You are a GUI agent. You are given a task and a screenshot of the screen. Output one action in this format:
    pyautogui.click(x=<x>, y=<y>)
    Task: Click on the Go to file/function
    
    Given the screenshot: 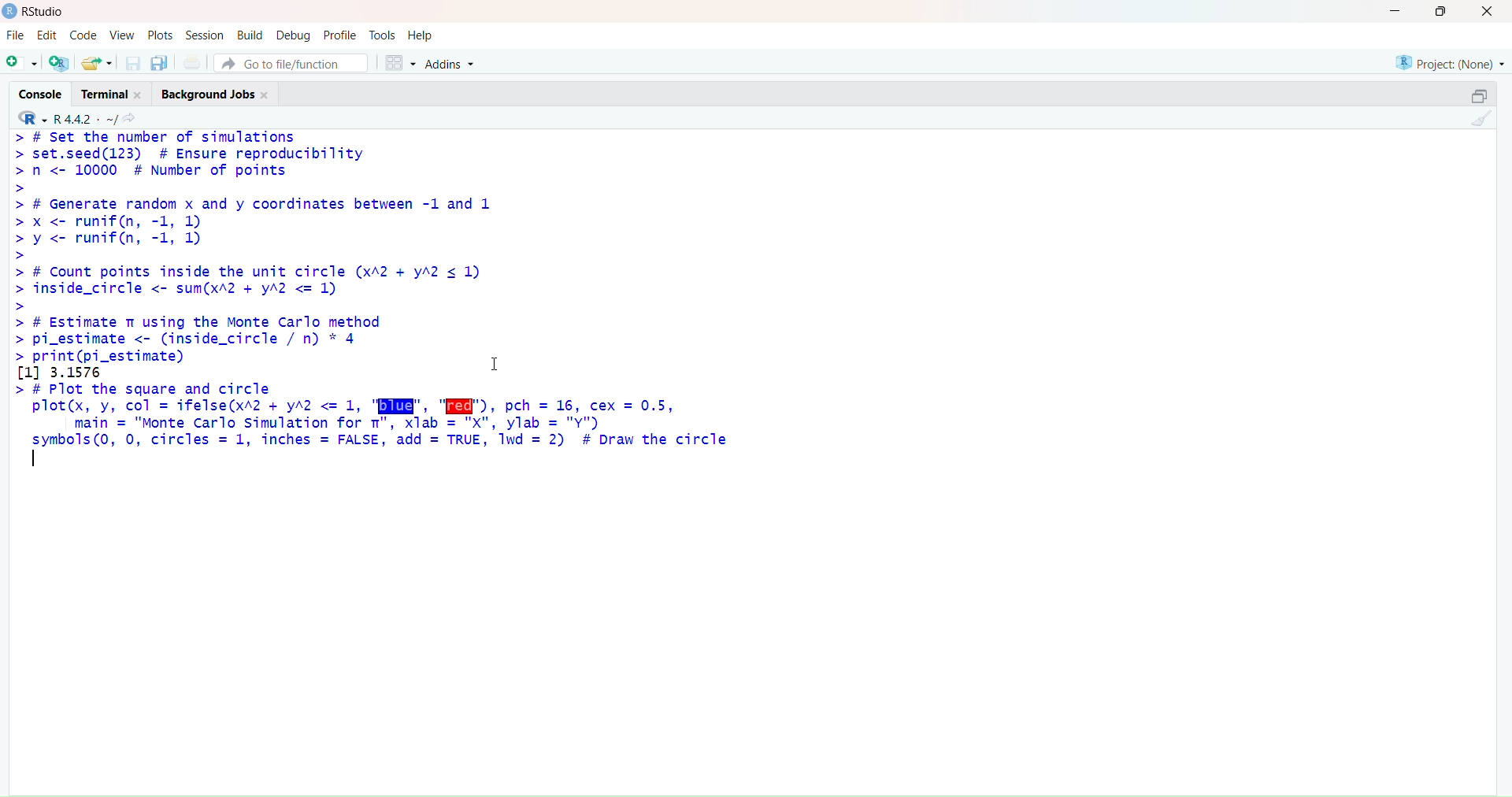 What is the action you would take?
    pyautogui.click(x=295, y=64)
    